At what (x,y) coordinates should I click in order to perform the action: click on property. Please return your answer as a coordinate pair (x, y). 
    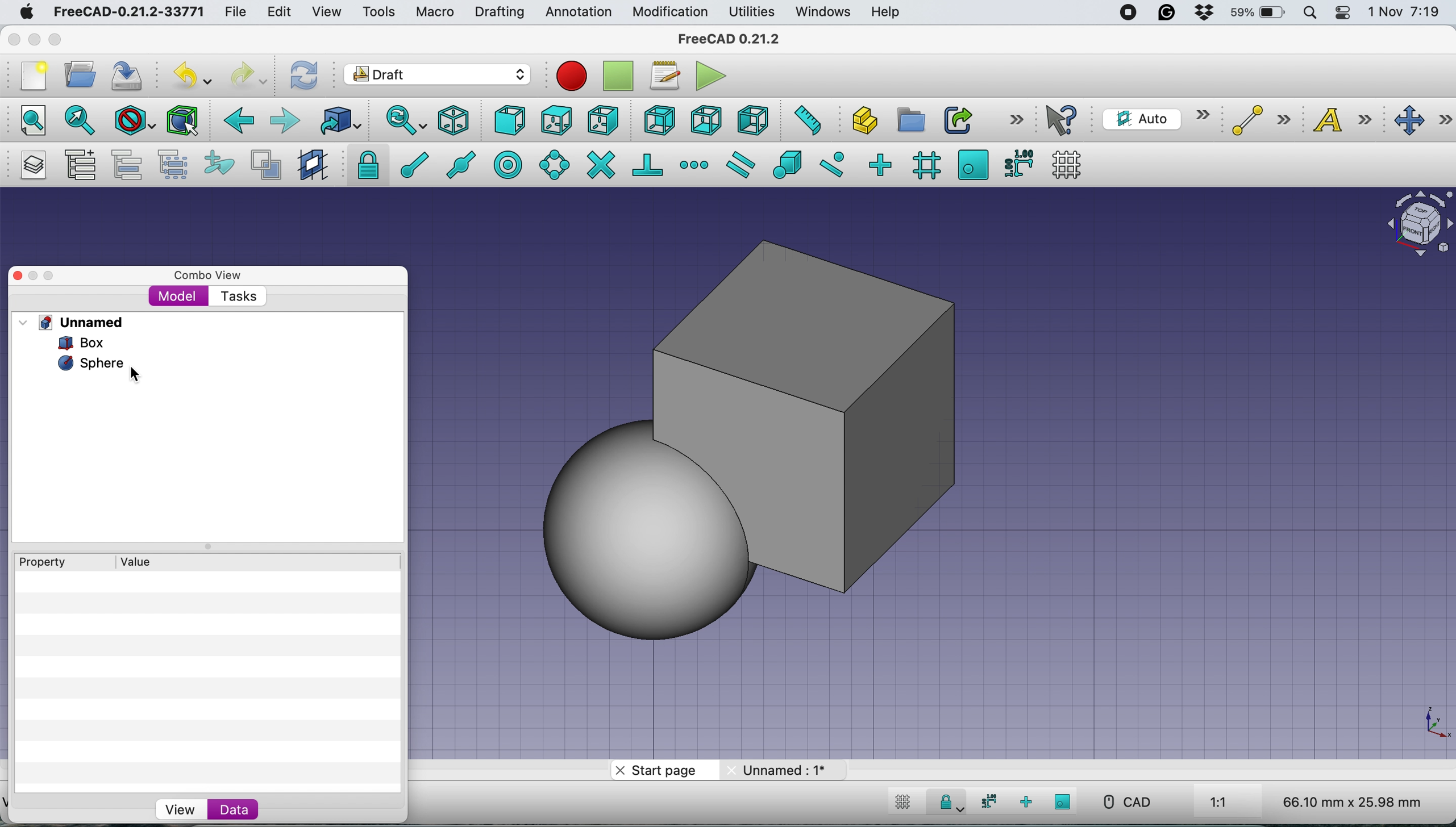
    Looking at the image, I should click on (51, 562).